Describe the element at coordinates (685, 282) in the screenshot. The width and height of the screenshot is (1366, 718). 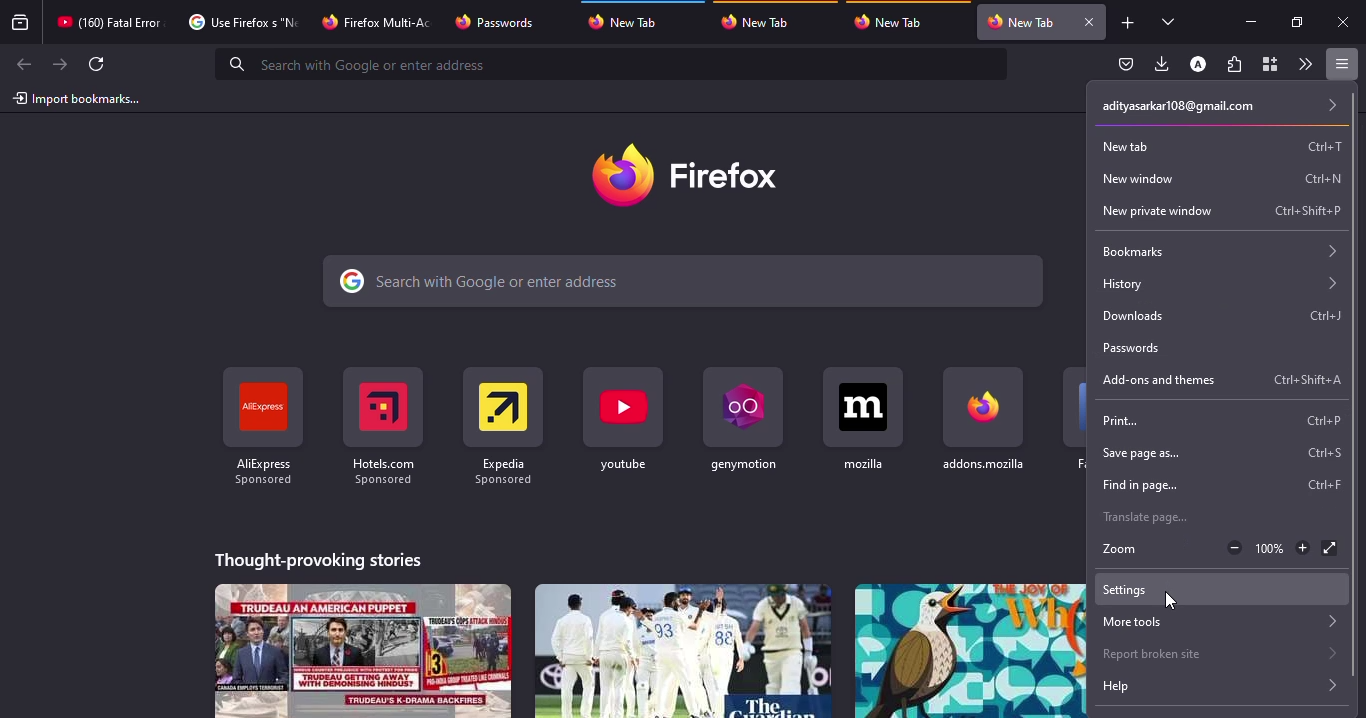
I see `search` at that location.